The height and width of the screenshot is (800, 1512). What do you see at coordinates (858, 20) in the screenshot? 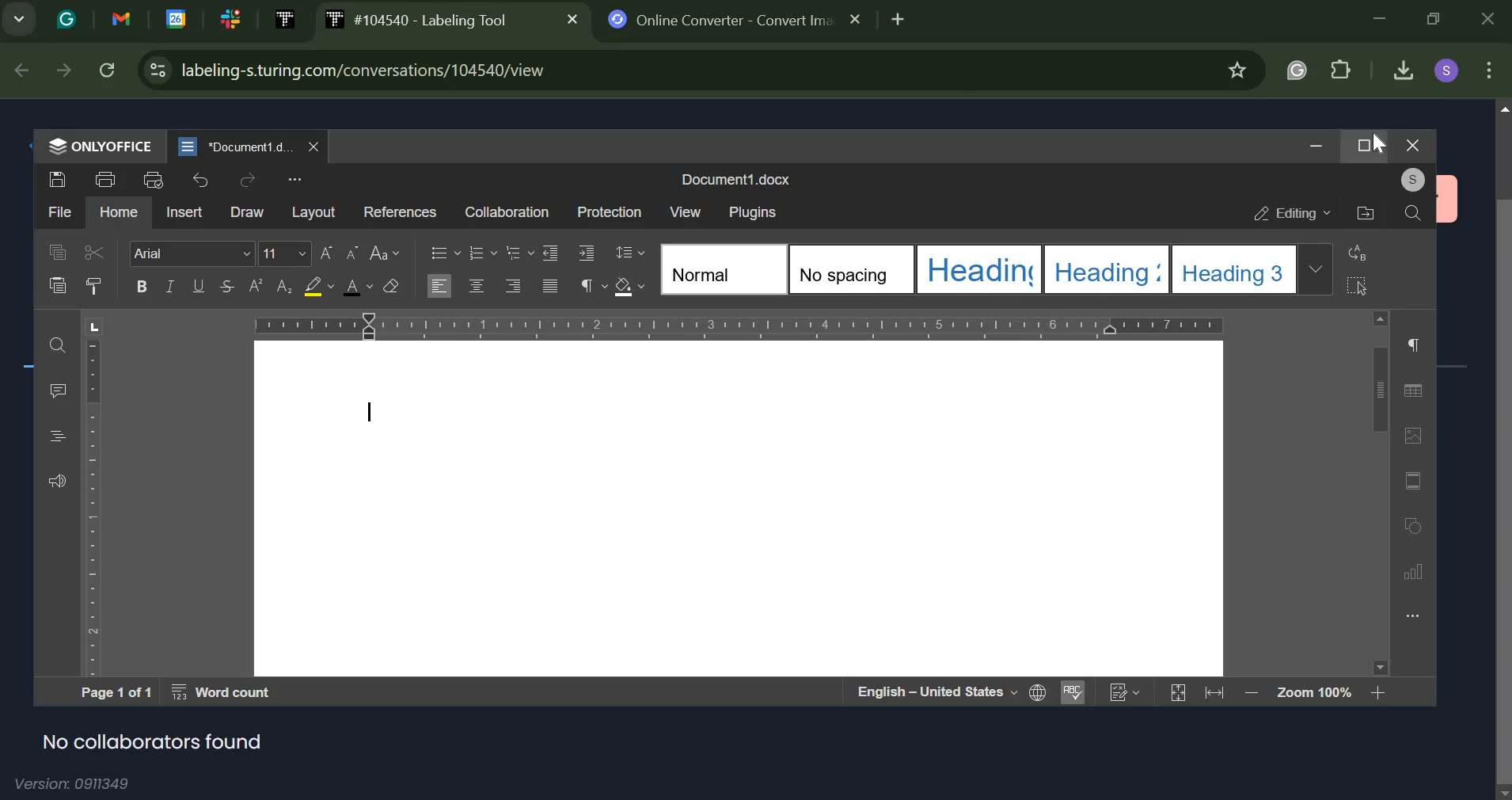
I see `close tab` at bounding box center [858, 20].